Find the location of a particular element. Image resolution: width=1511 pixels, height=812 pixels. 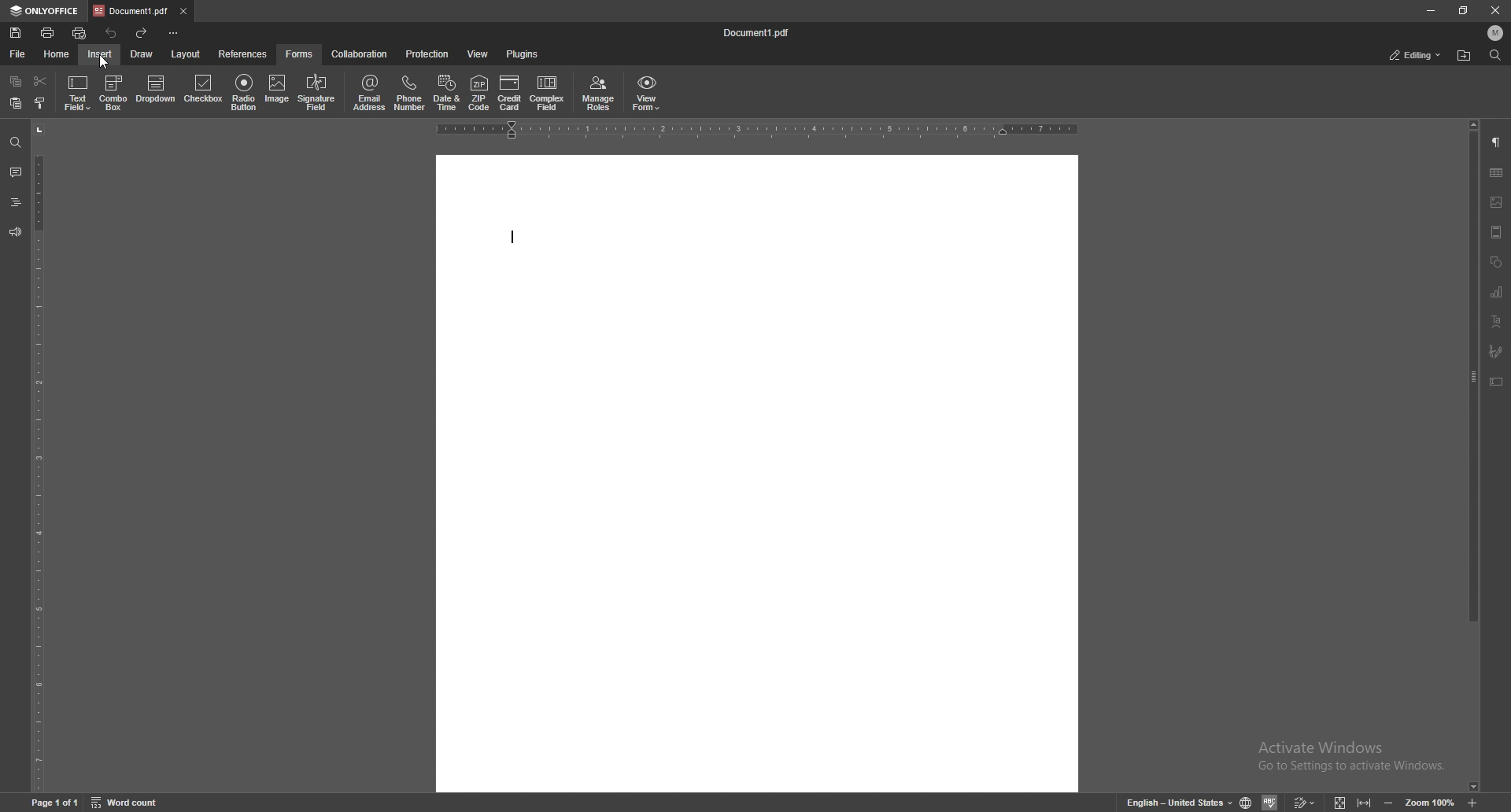

text field is located at coordinates (79, 94).